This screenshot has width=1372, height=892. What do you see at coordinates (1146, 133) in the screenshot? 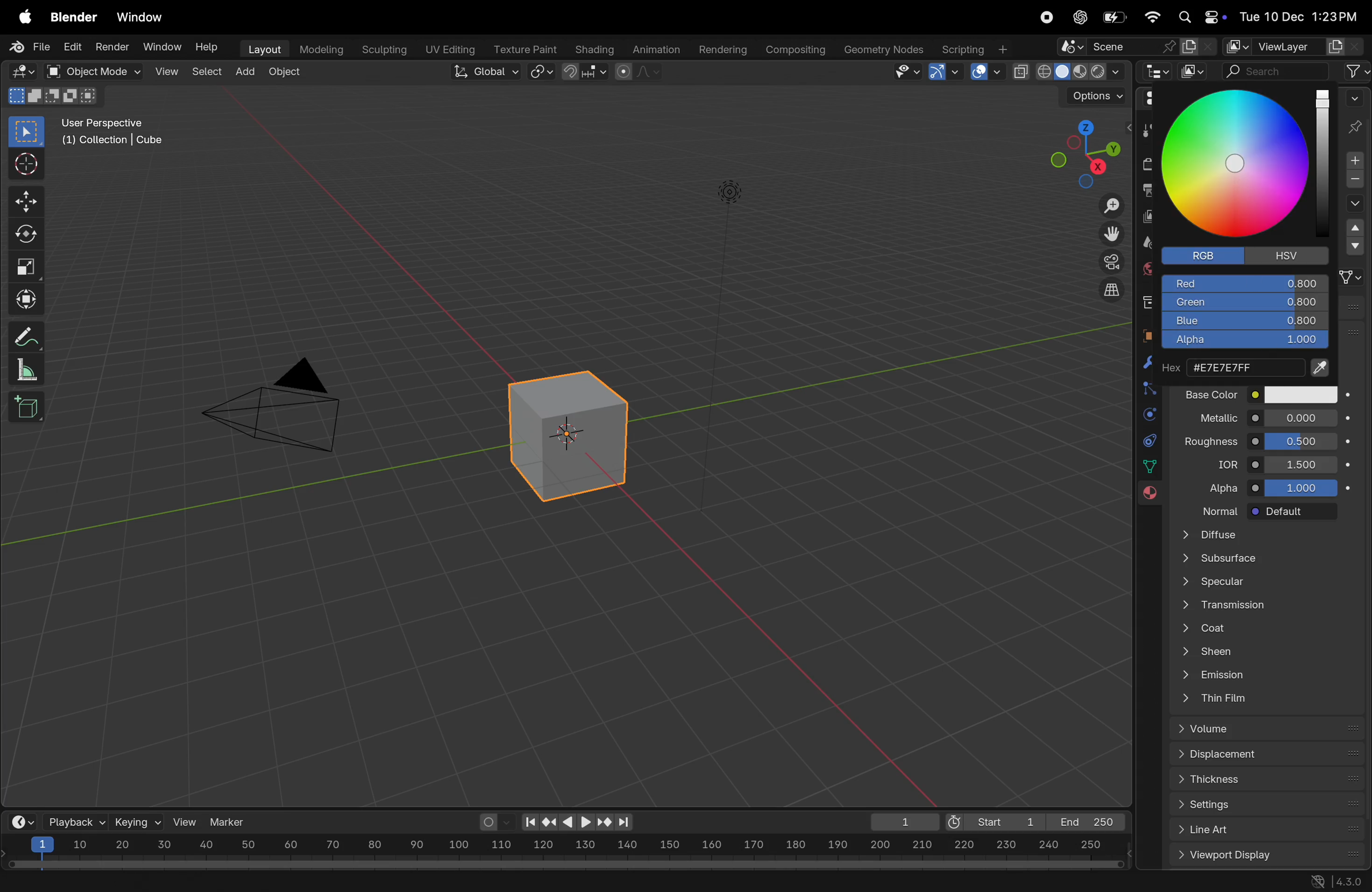
I see `tool` at bounding box center [1146, 133].